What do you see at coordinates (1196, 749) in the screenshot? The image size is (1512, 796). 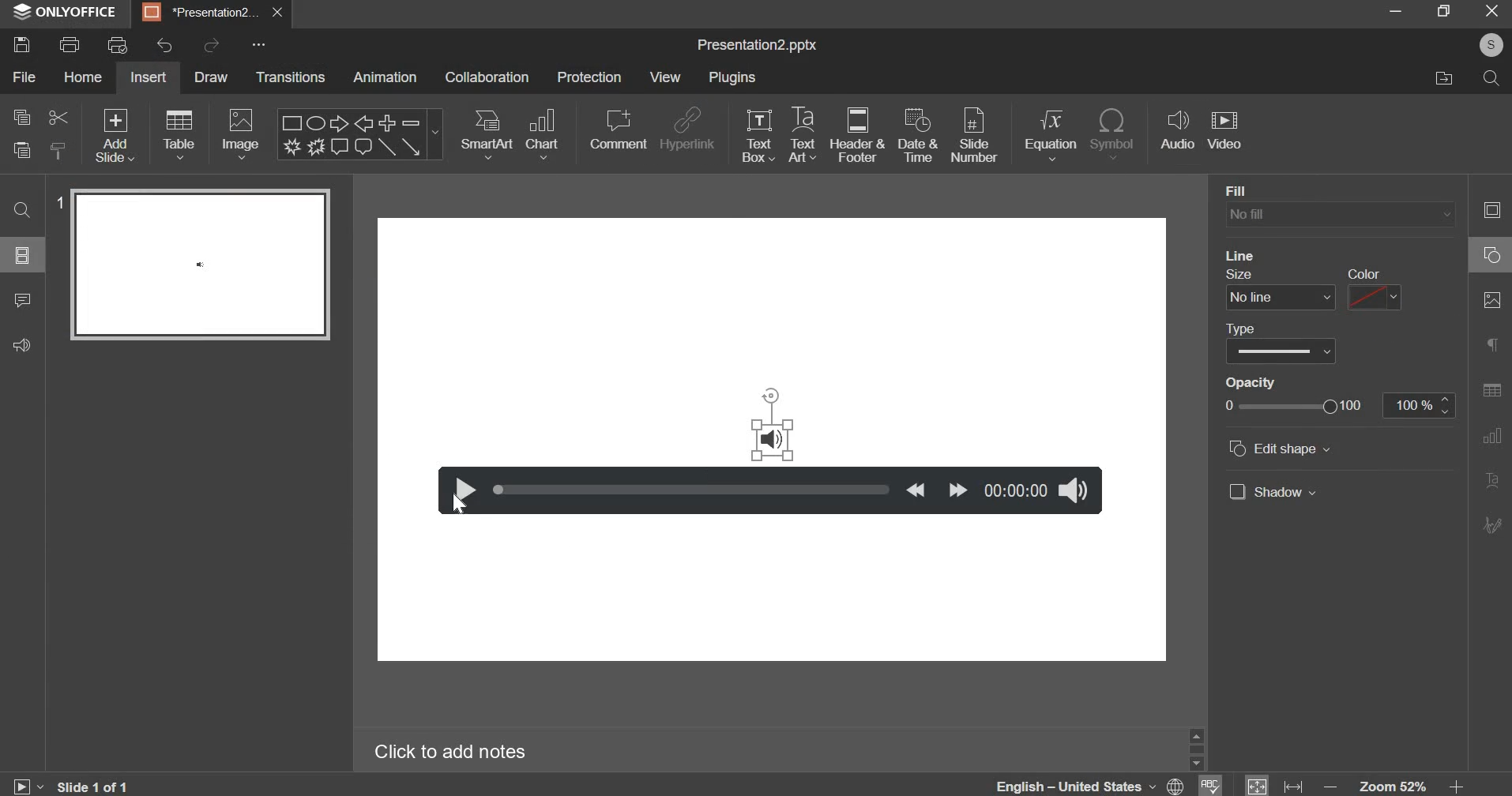 I see `scrollbar` at bounding box center [1196, 749].